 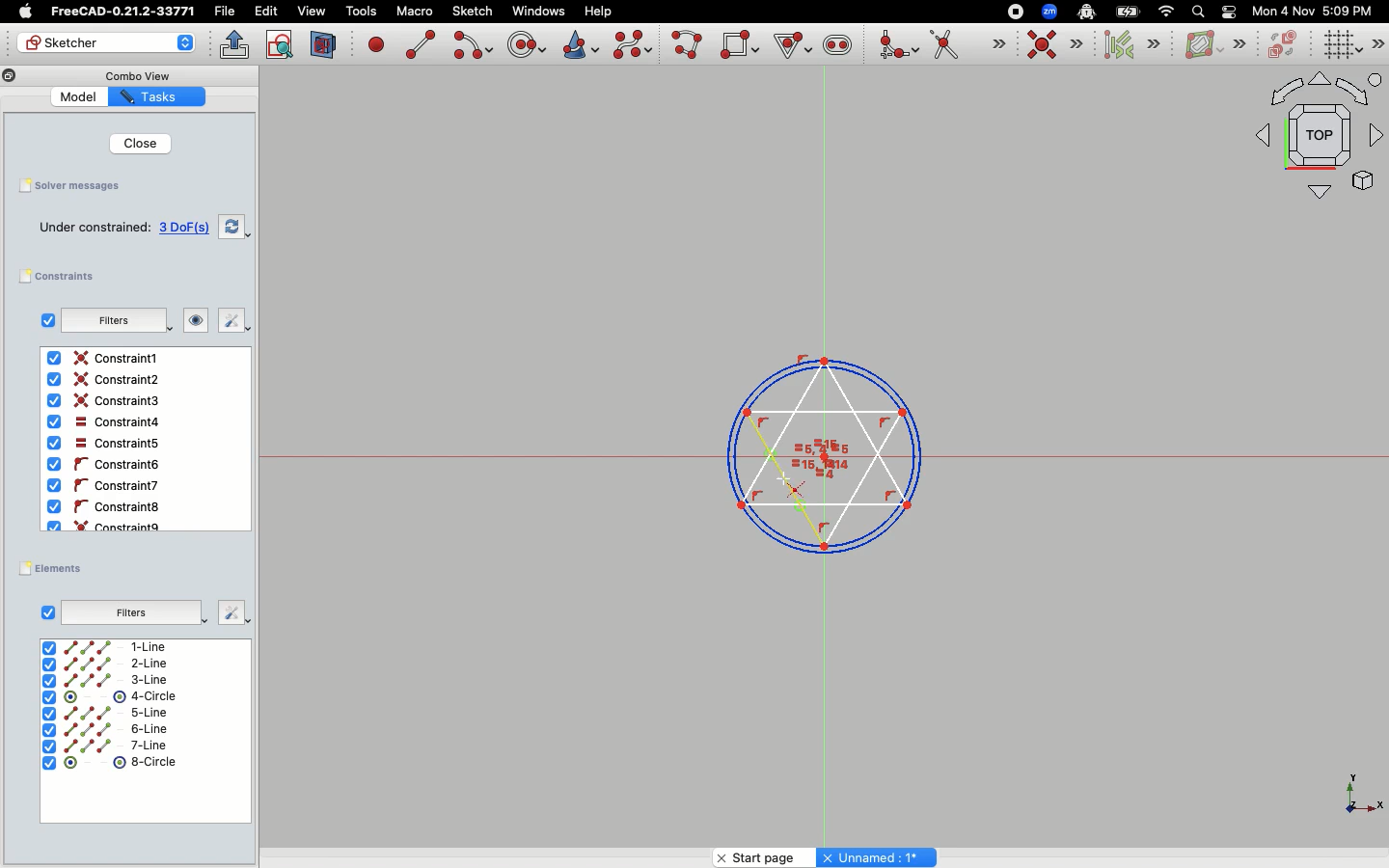 What do you see at coordinates (43, 320) in the screenshot?
I see `Checkbox` at bounding box center [43, 320].